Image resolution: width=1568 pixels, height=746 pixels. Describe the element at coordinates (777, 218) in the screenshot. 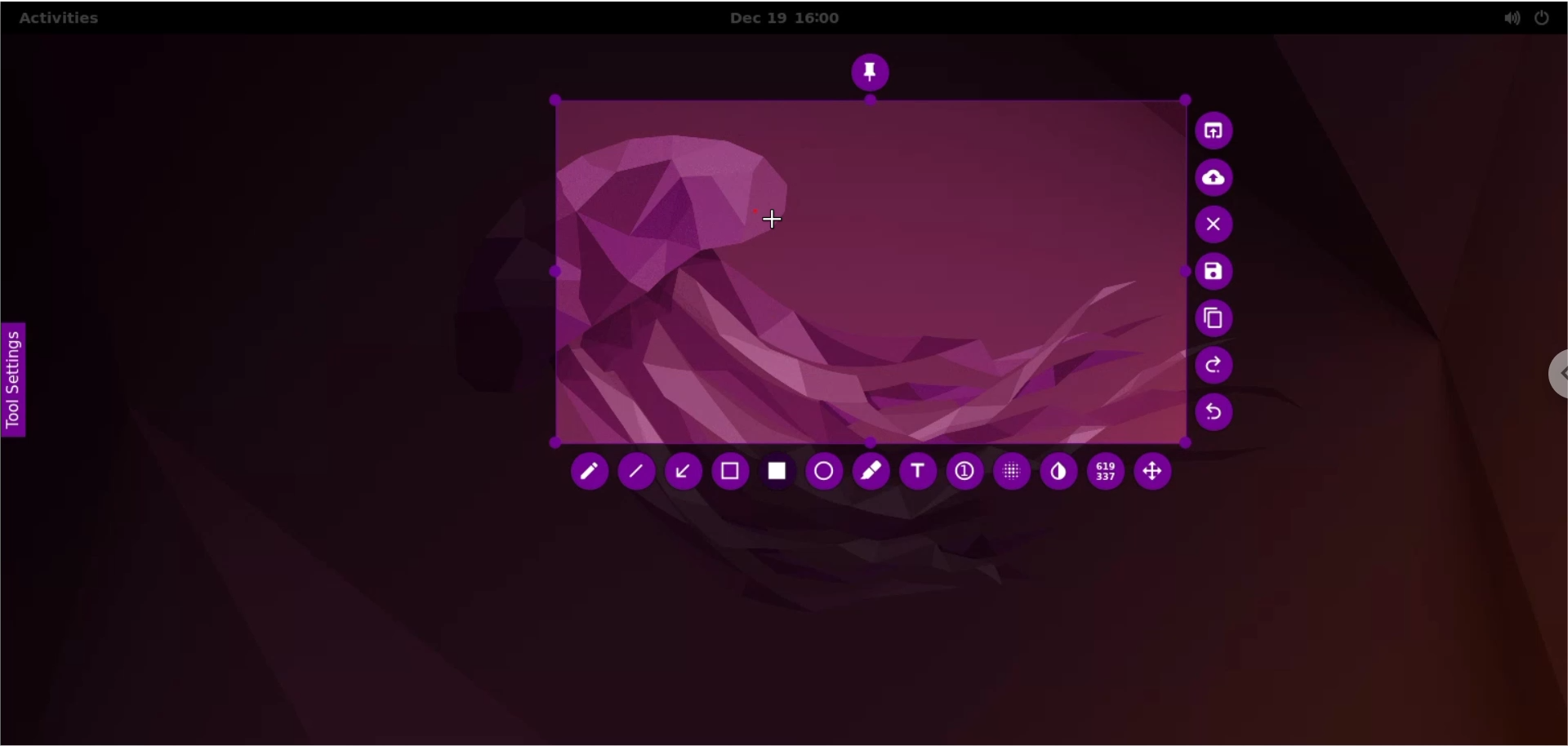

I see `cursor` at that location.